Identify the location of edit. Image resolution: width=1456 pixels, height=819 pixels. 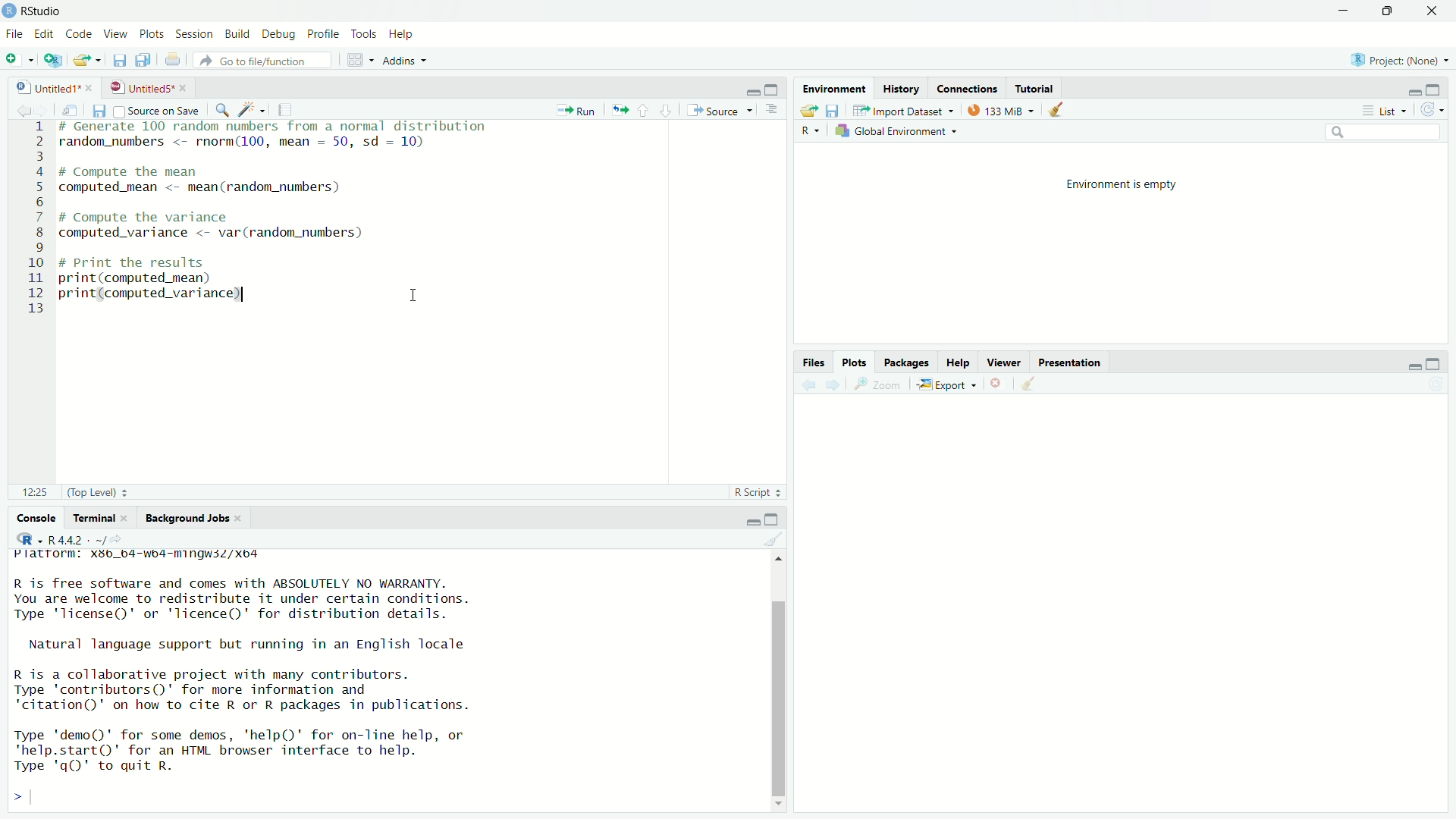
(43, 35).